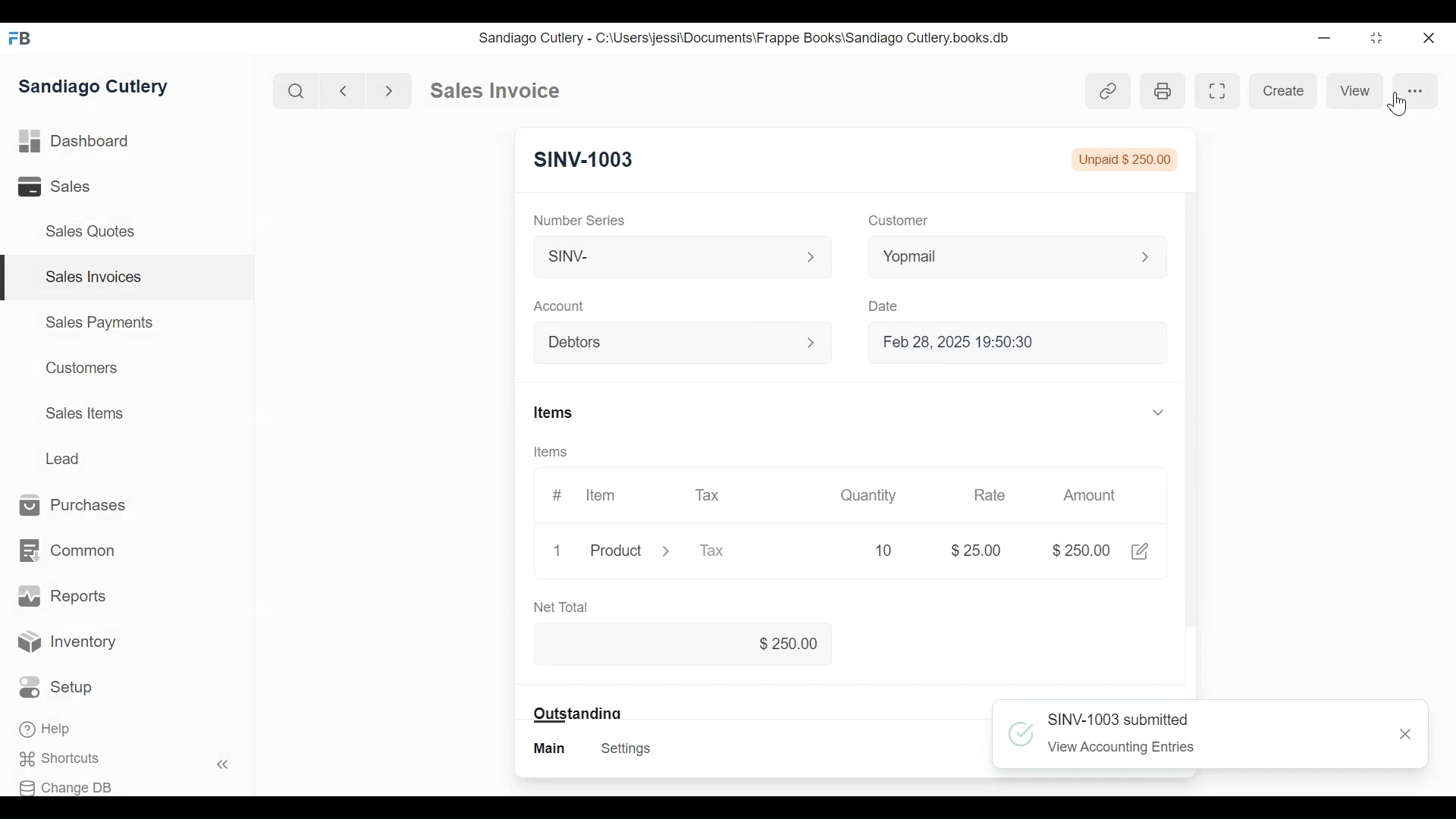 Image resolution: width=1456 pixels, height=819 pixels. What do you see at coordinates (1324, 37) in the screenshot?
I see `minimize` at bounding box center [1324, 37].